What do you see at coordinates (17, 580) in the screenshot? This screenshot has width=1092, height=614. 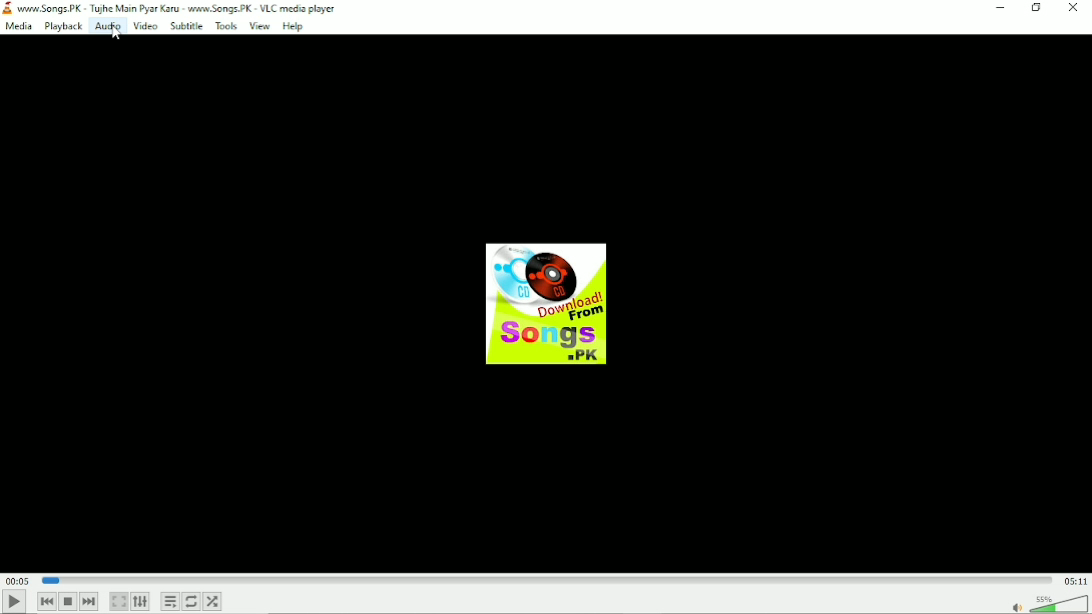 I see `Elapsed time` at bounding box center [17, 580].